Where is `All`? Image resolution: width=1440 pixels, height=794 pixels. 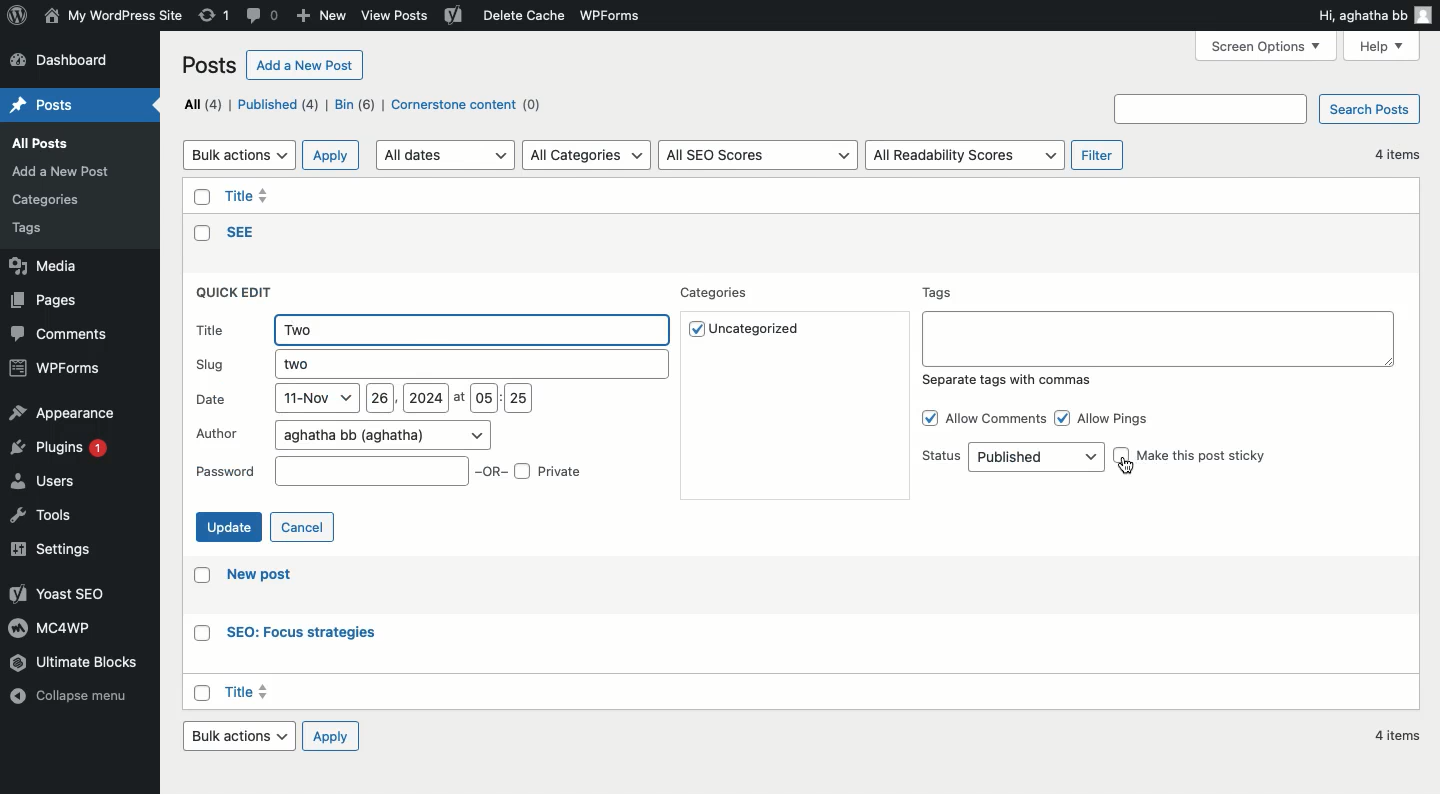 All is located at coordinates (202, 103).